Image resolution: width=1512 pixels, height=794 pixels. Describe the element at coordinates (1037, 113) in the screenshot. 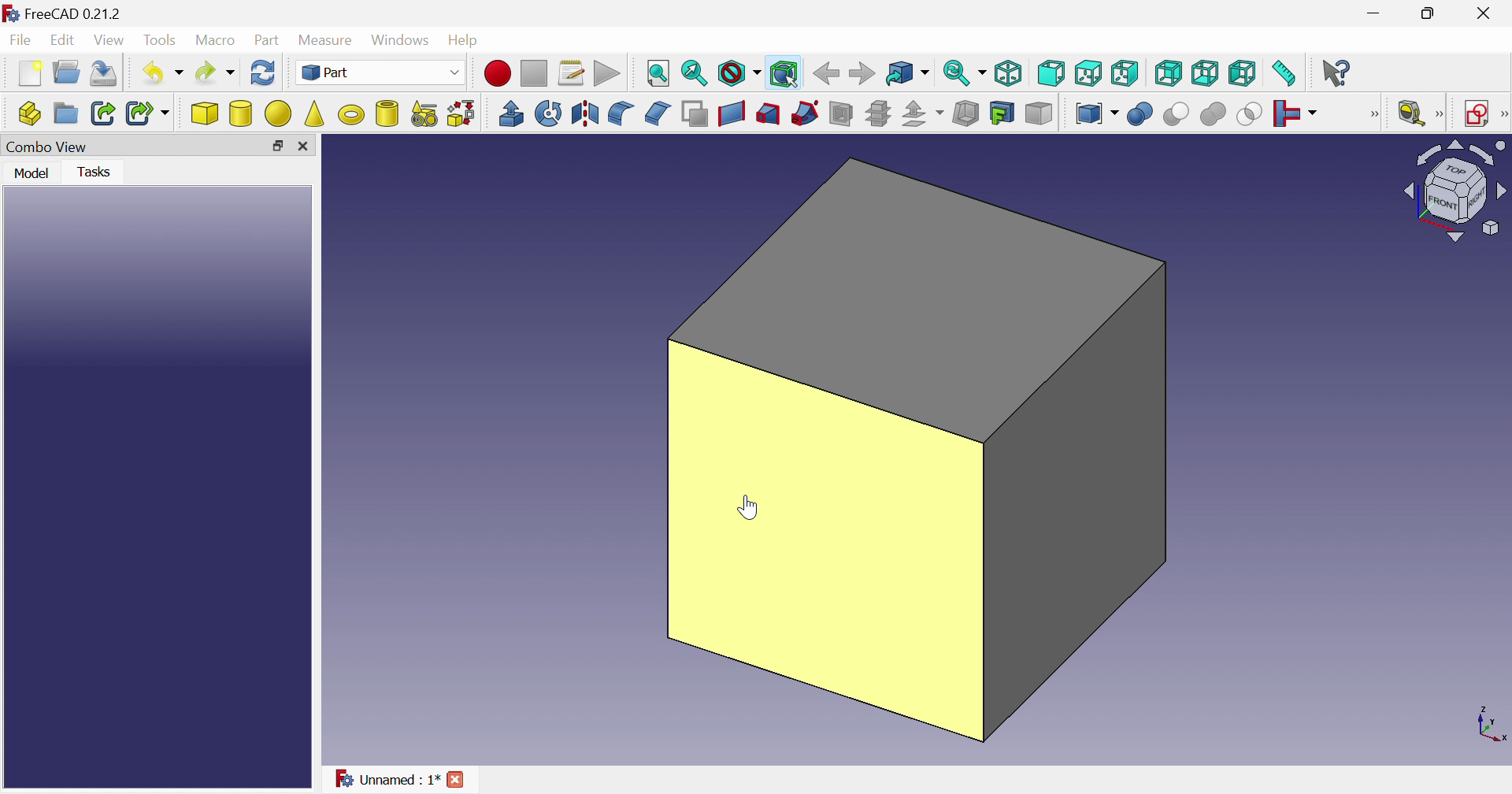

I see `Color per face` at that location.